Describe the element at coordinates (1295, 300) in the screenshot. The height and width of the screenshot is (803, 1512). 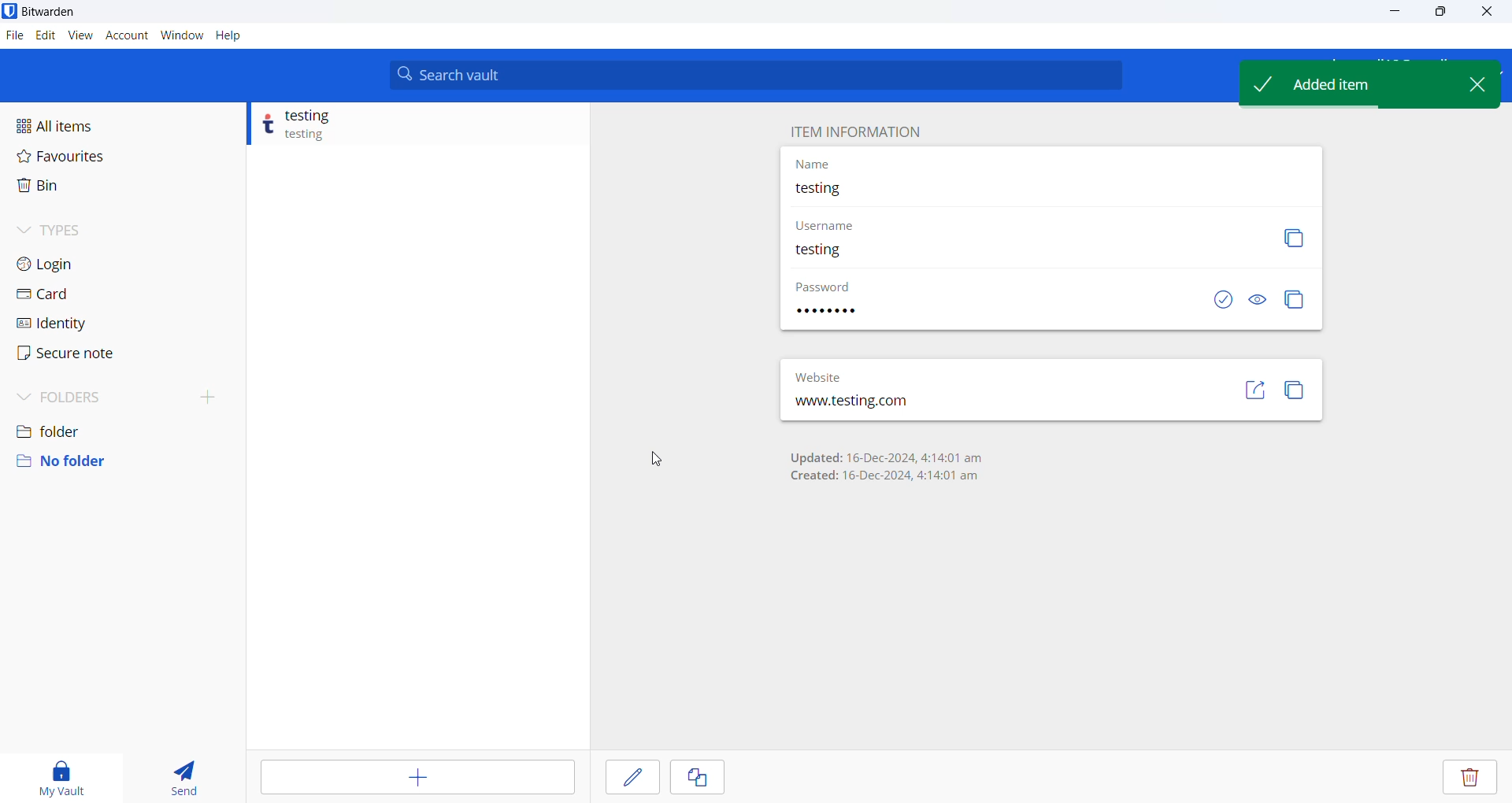
I see `copy` at that location.